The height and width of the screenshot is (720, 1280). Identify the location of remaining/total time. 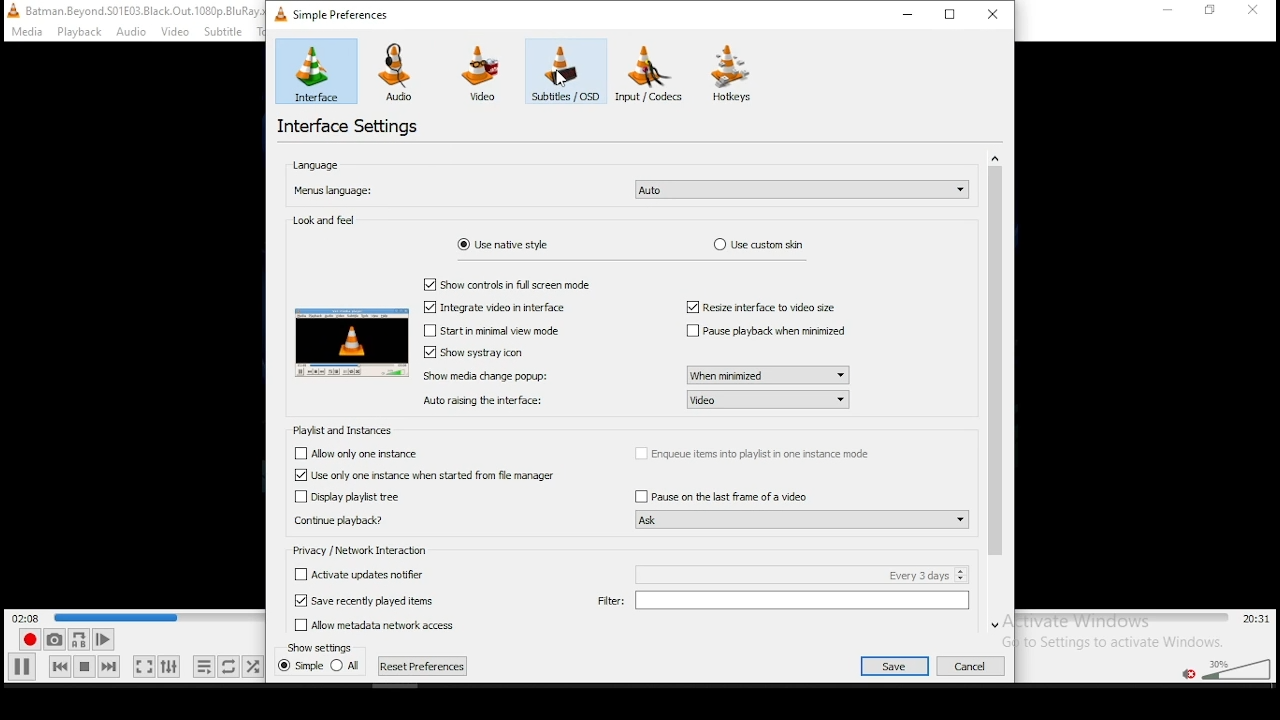
(1257, 619).